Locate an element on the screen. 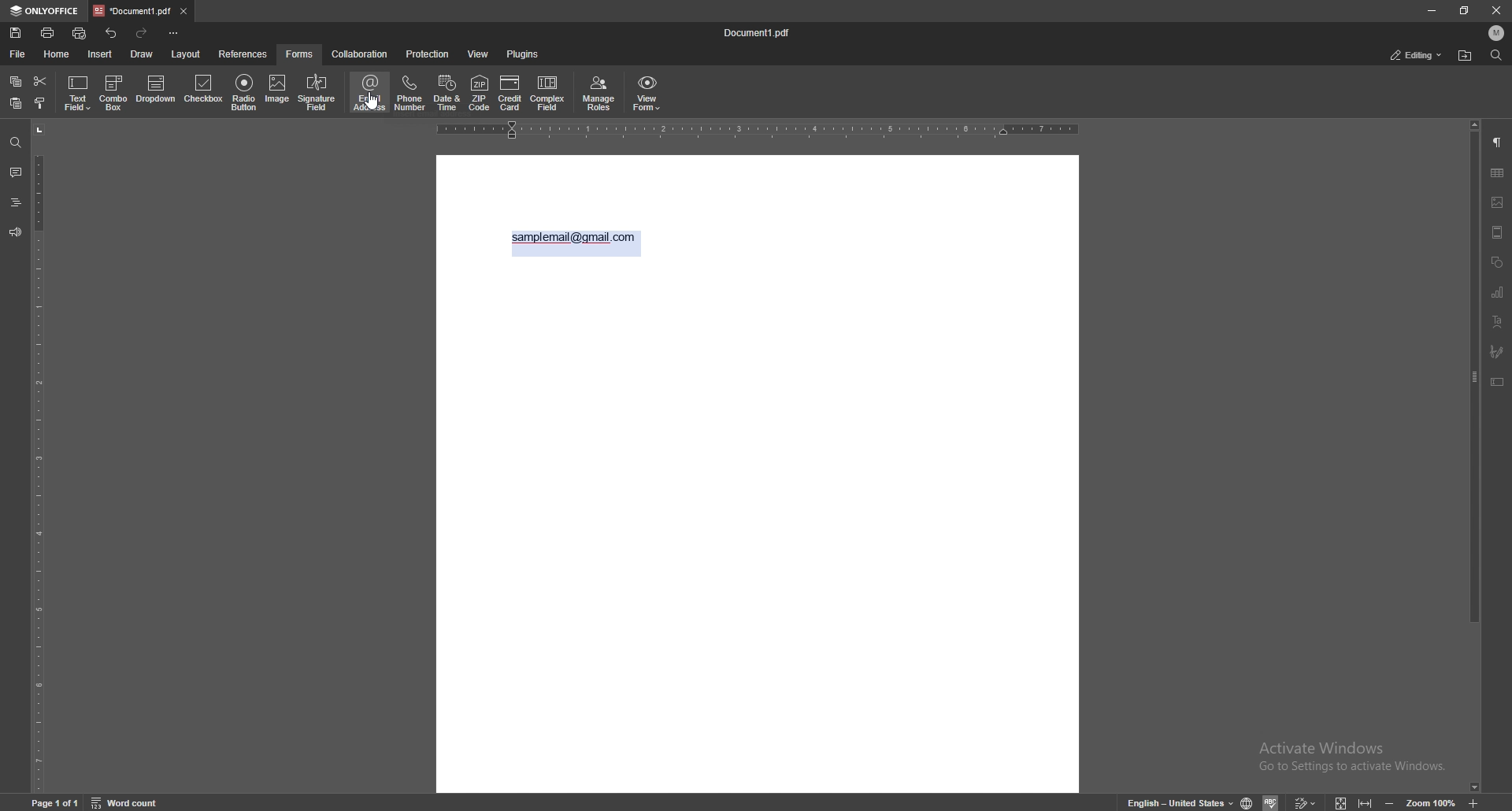 The width and height of the screenshot is (1512, 811). layout is located at coordinates (185, 54).